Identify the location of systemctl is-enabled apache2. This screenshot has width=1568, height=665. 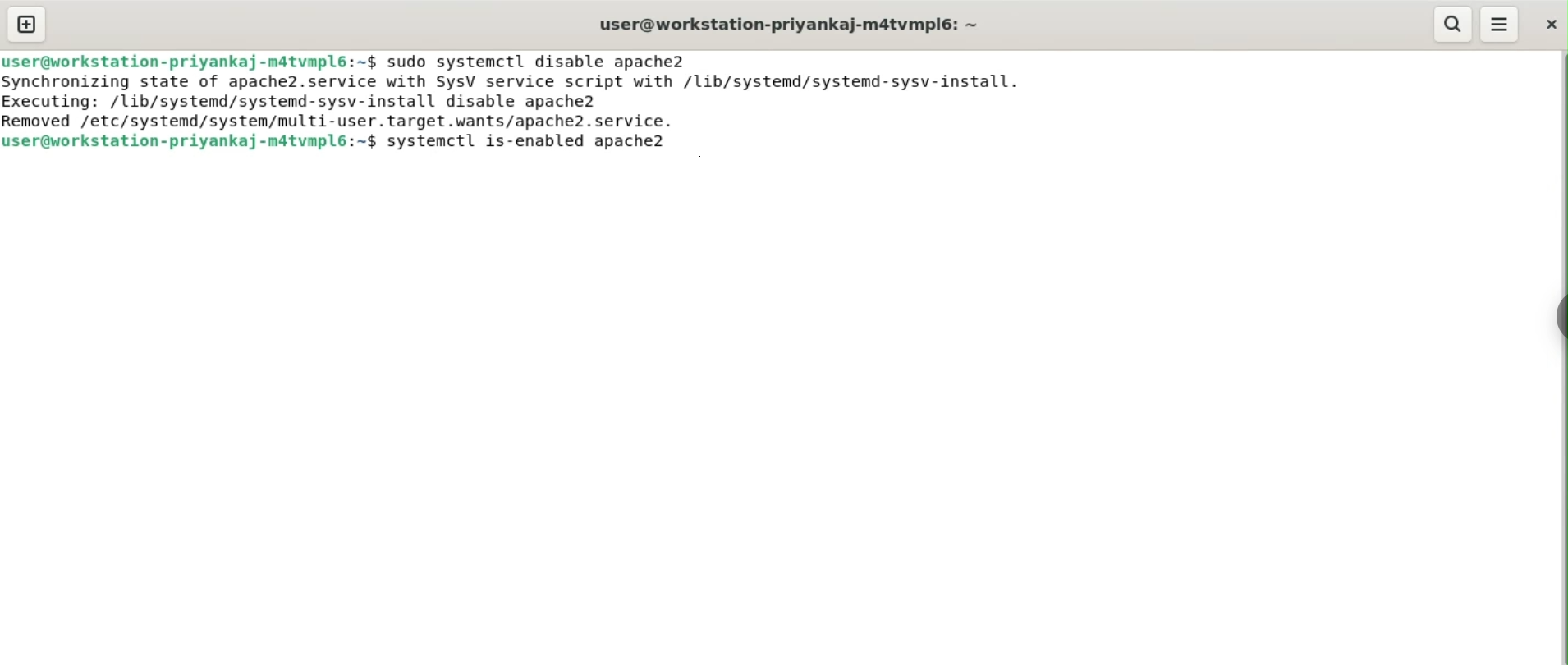
(541, 144).